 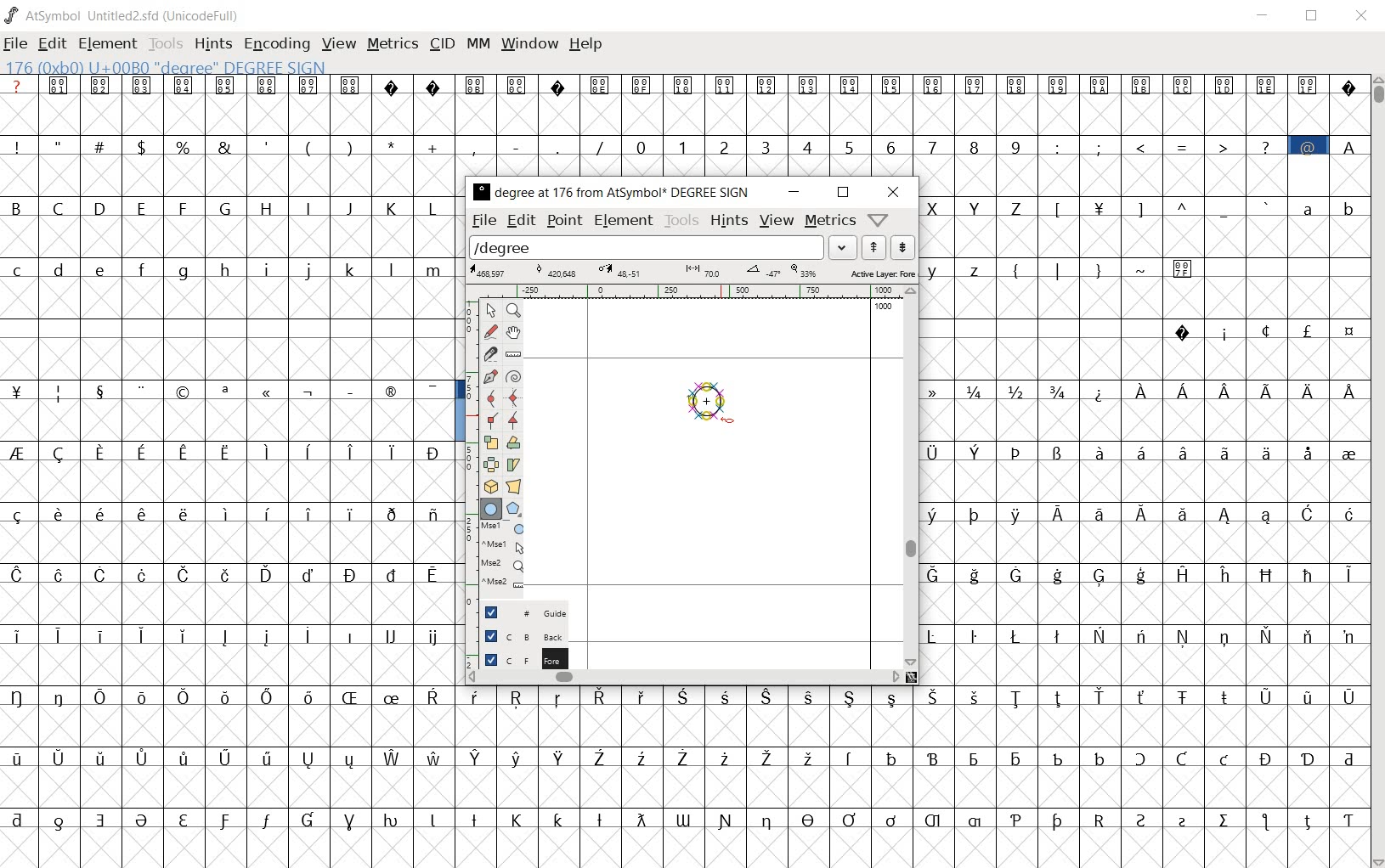 What do you see at coordinates (490, 331) in the screenshot?
I see `draw a freehand curve` at bounding box center [490, 331].